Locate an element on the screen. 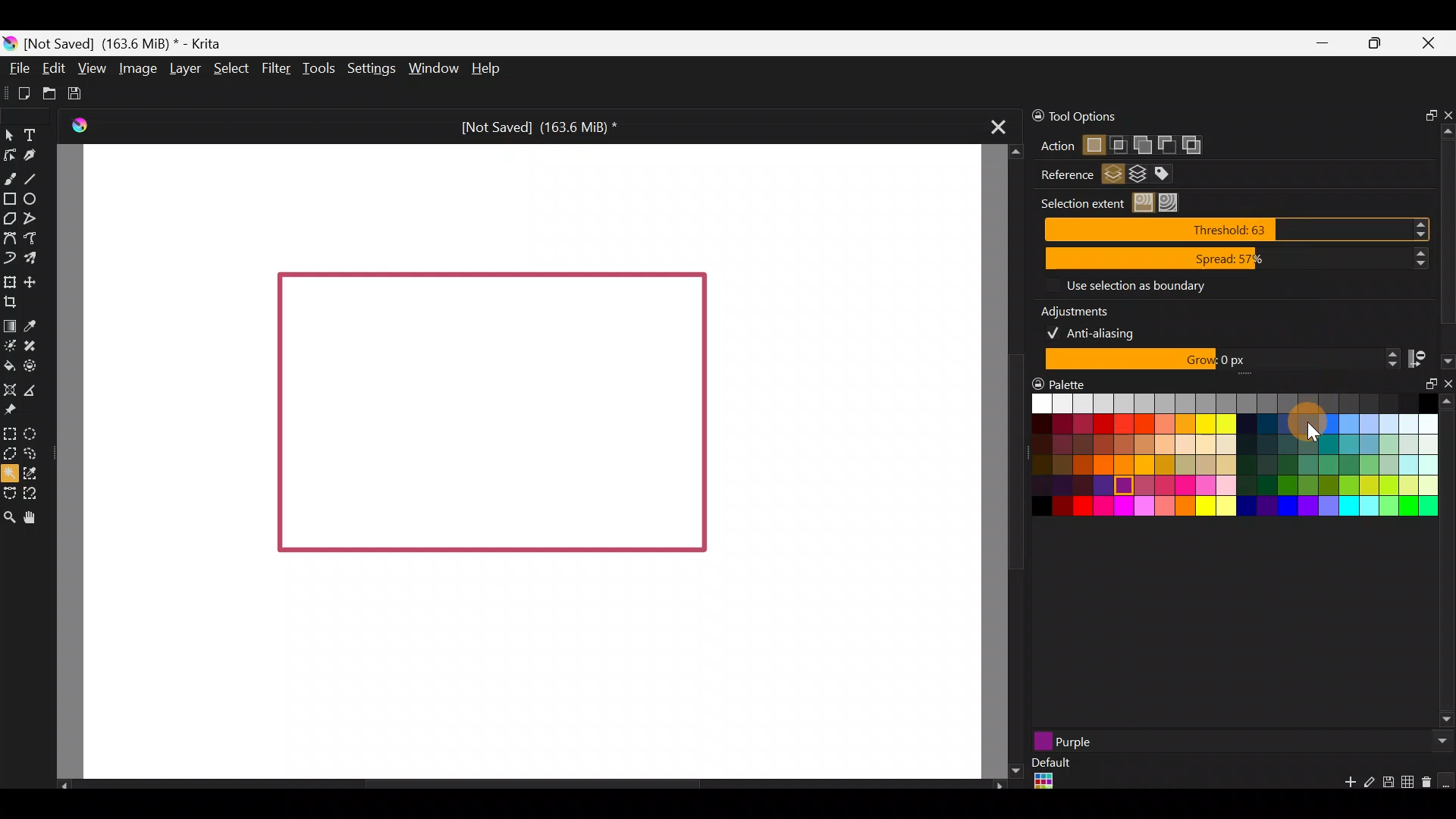 This screenshot has width=1456, height=819. Intersect is located at coordinates (1119, 142).